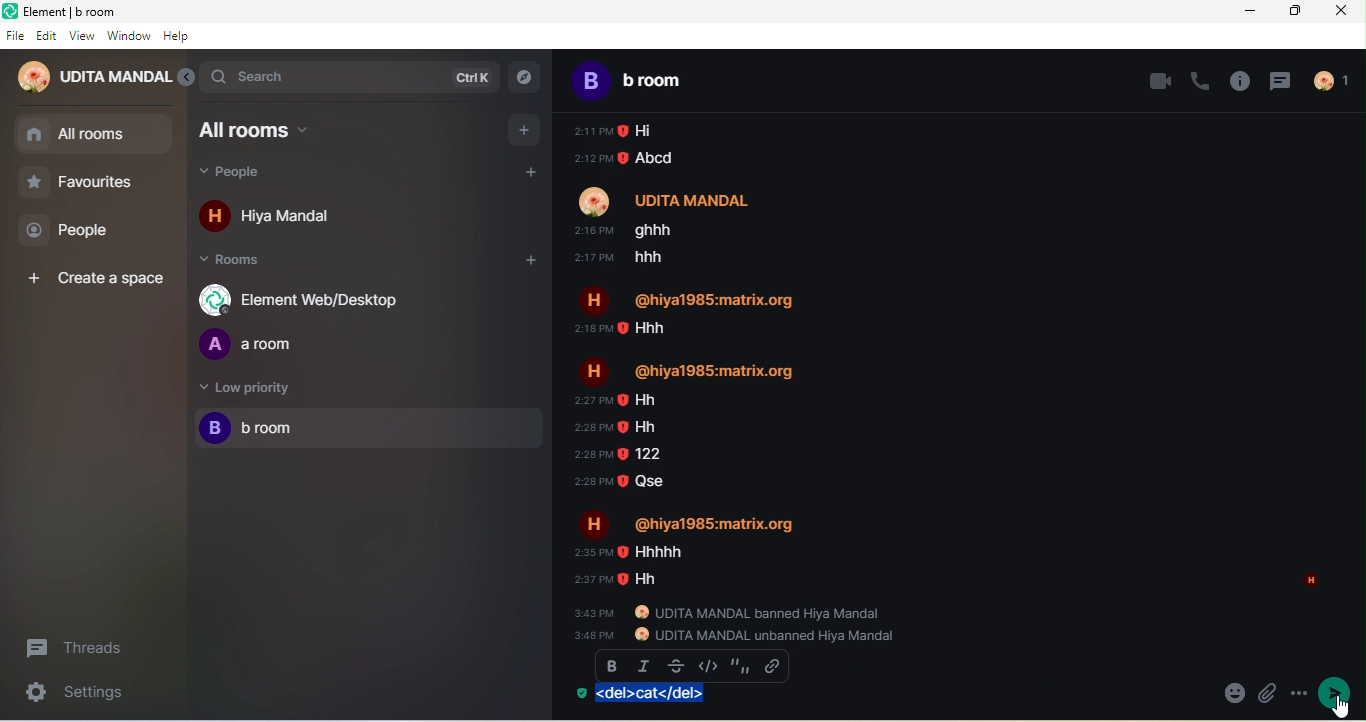 The width and height of the screenshot is (1366, 722). What do you see at coordinates (643, 665) in the screenshot?
I see `italic` at bounding box center [643, 665].